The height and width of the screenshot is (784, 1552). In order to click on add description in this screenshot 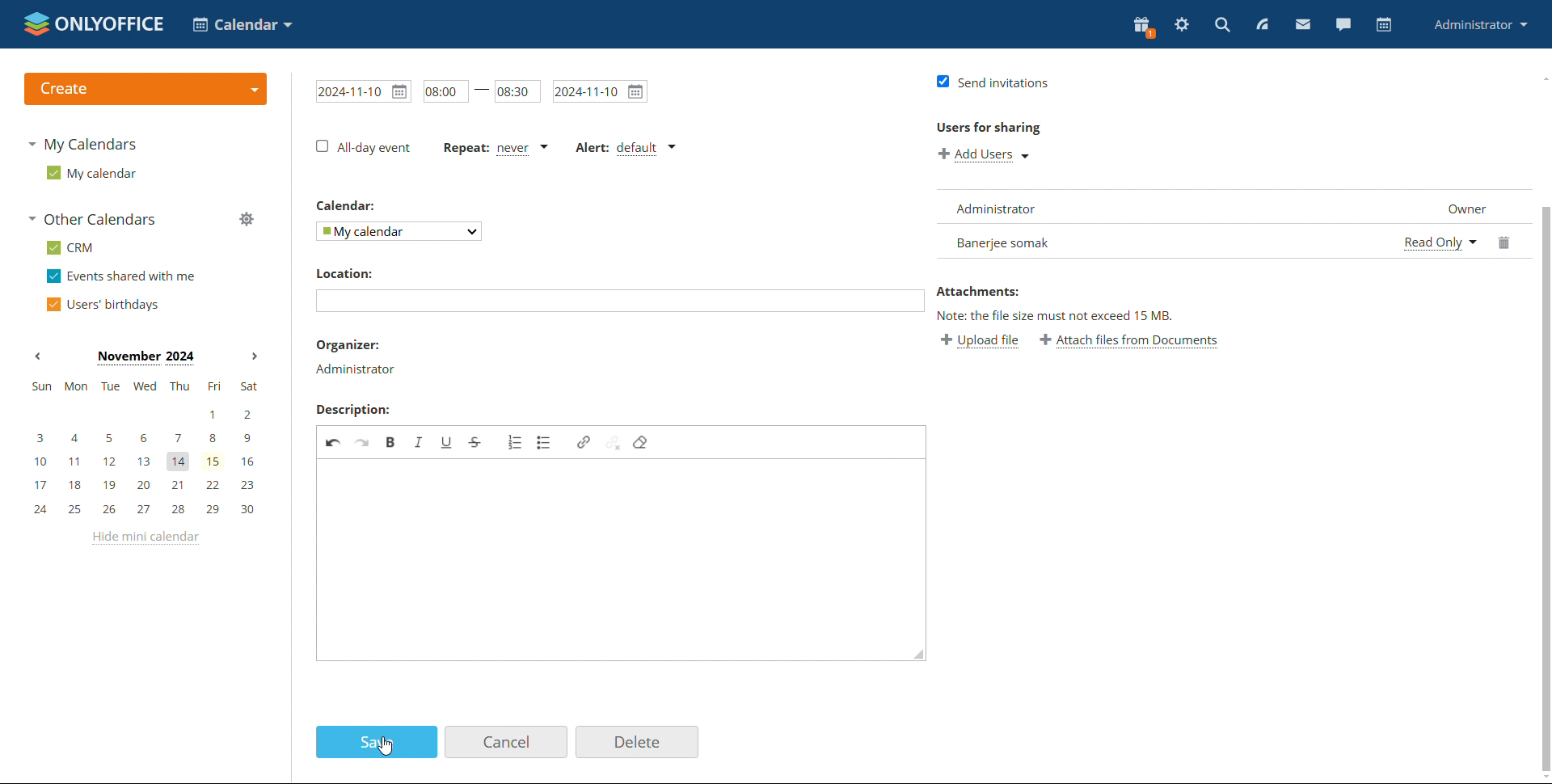, I will do `click(625, 572)`.